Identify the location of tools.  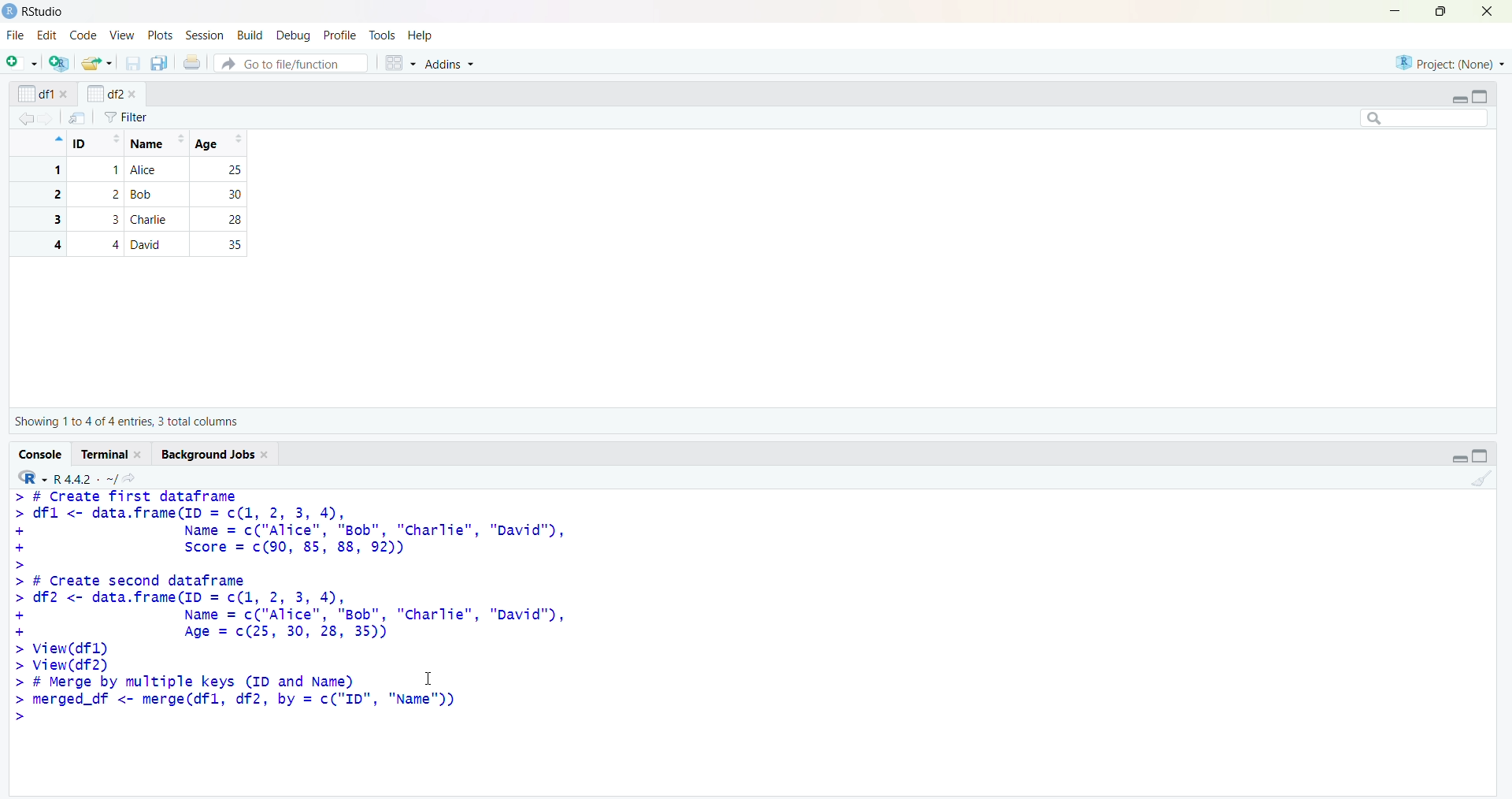
(383, 35).